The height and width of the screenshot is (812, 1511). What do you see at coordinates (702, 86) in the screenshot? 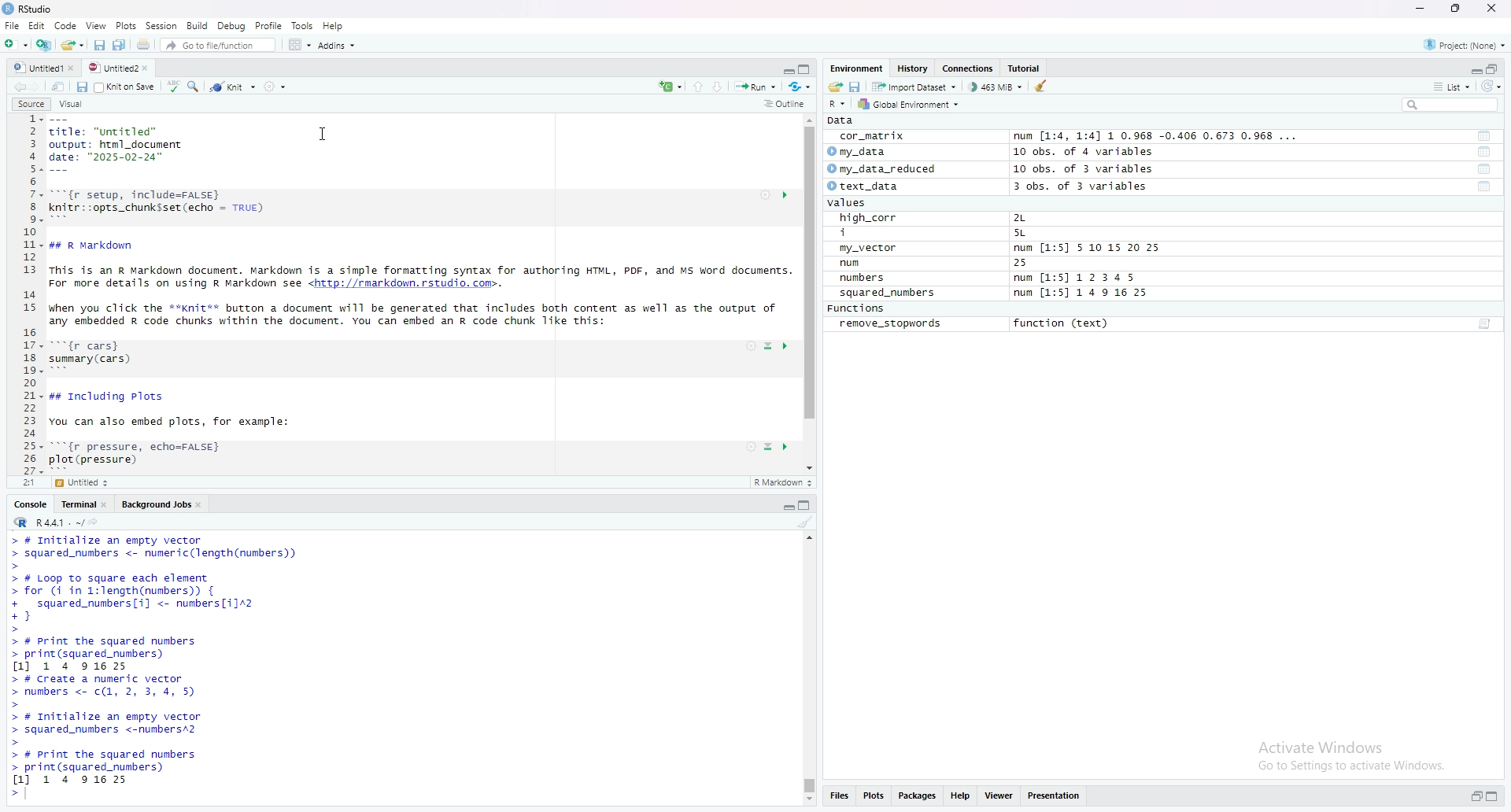
I see `Up` at bounding box center [702, 86].